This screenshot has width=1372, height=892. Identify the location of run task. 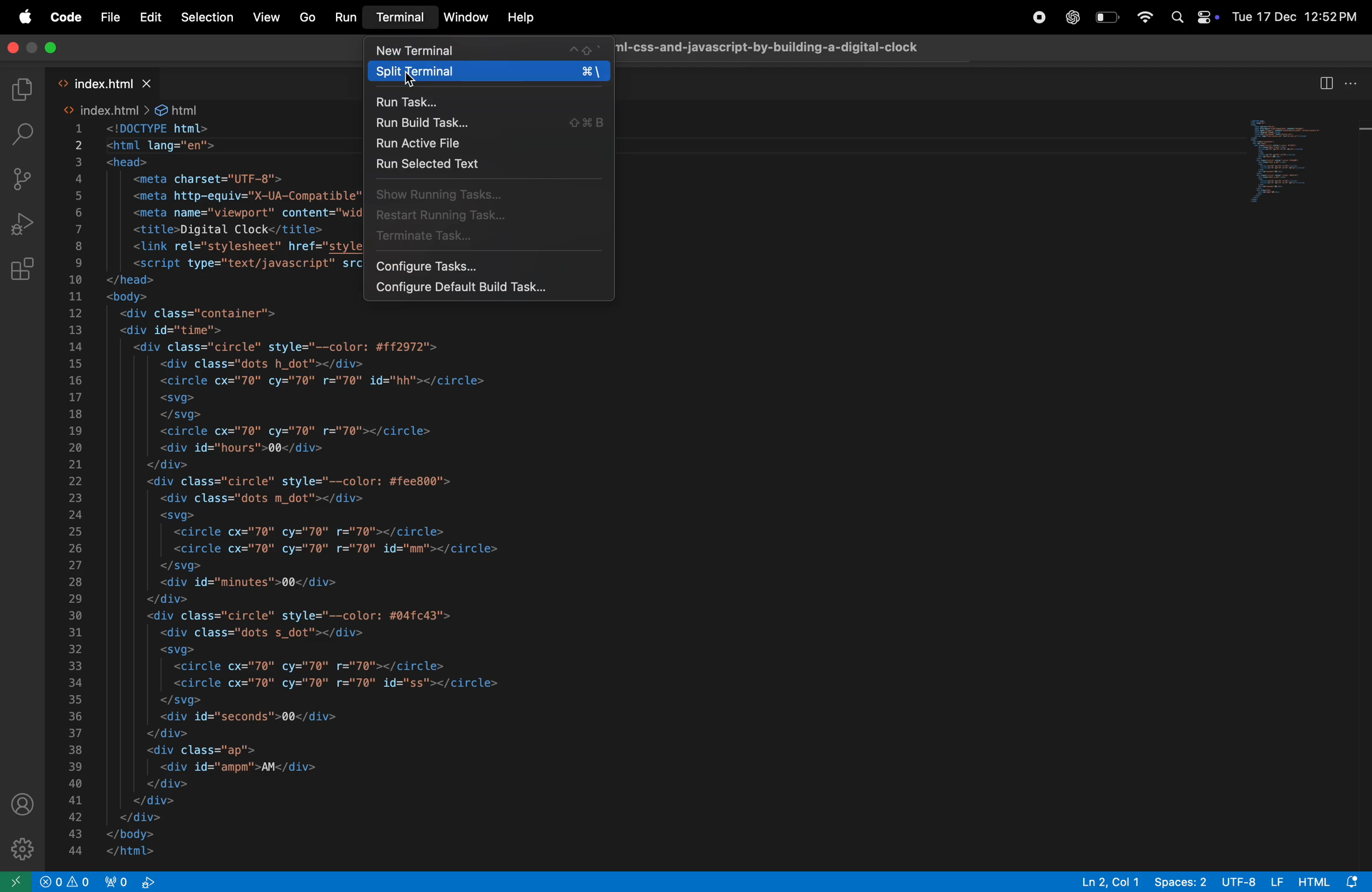
(492, 103).